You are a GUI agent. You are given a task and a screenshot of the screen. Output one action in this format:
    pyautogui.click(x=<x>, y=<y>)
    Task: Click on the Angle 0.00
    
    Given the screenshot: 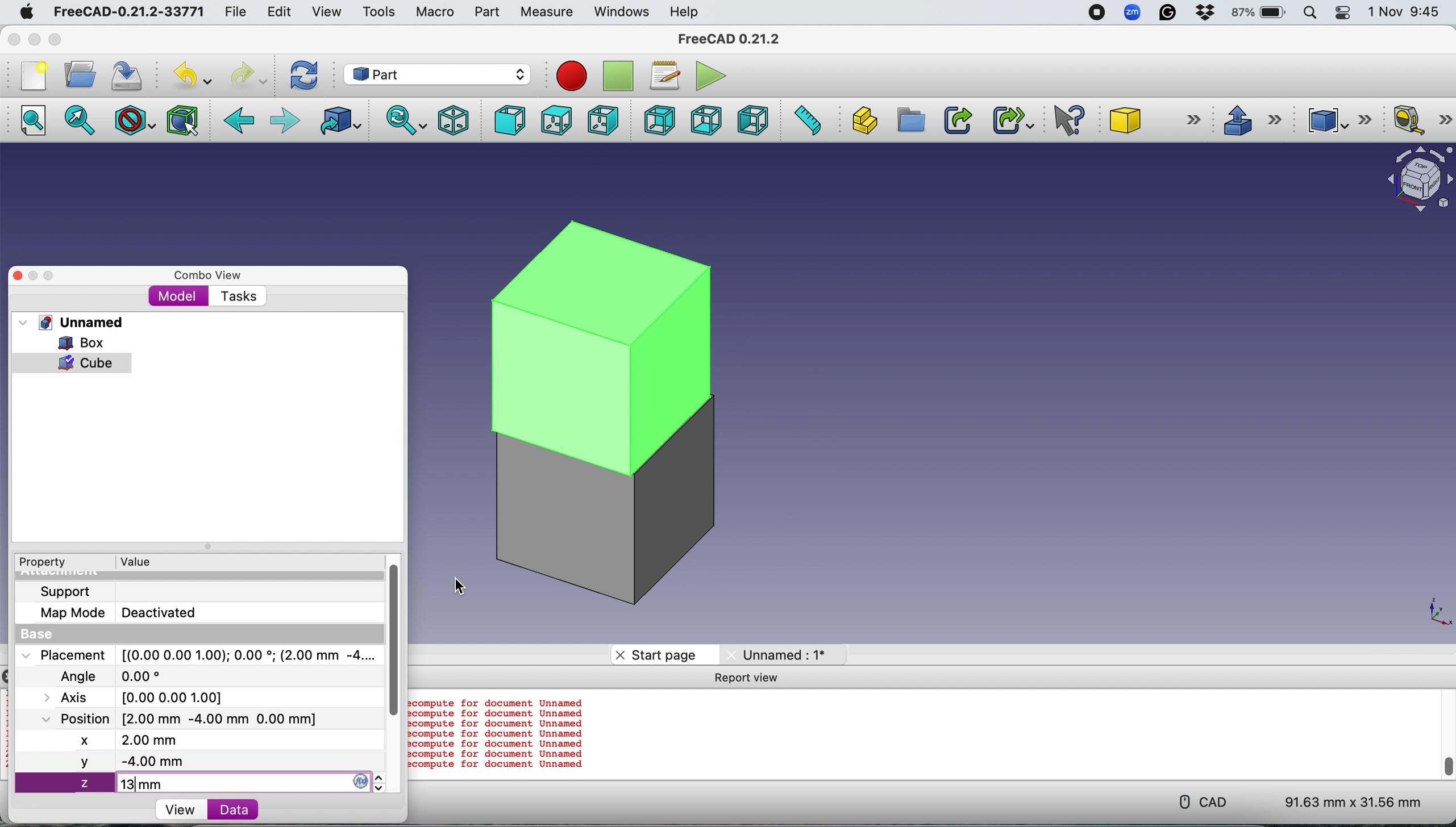 What is the action you would take?
    pyautogui.click(x=119, y=677)
    